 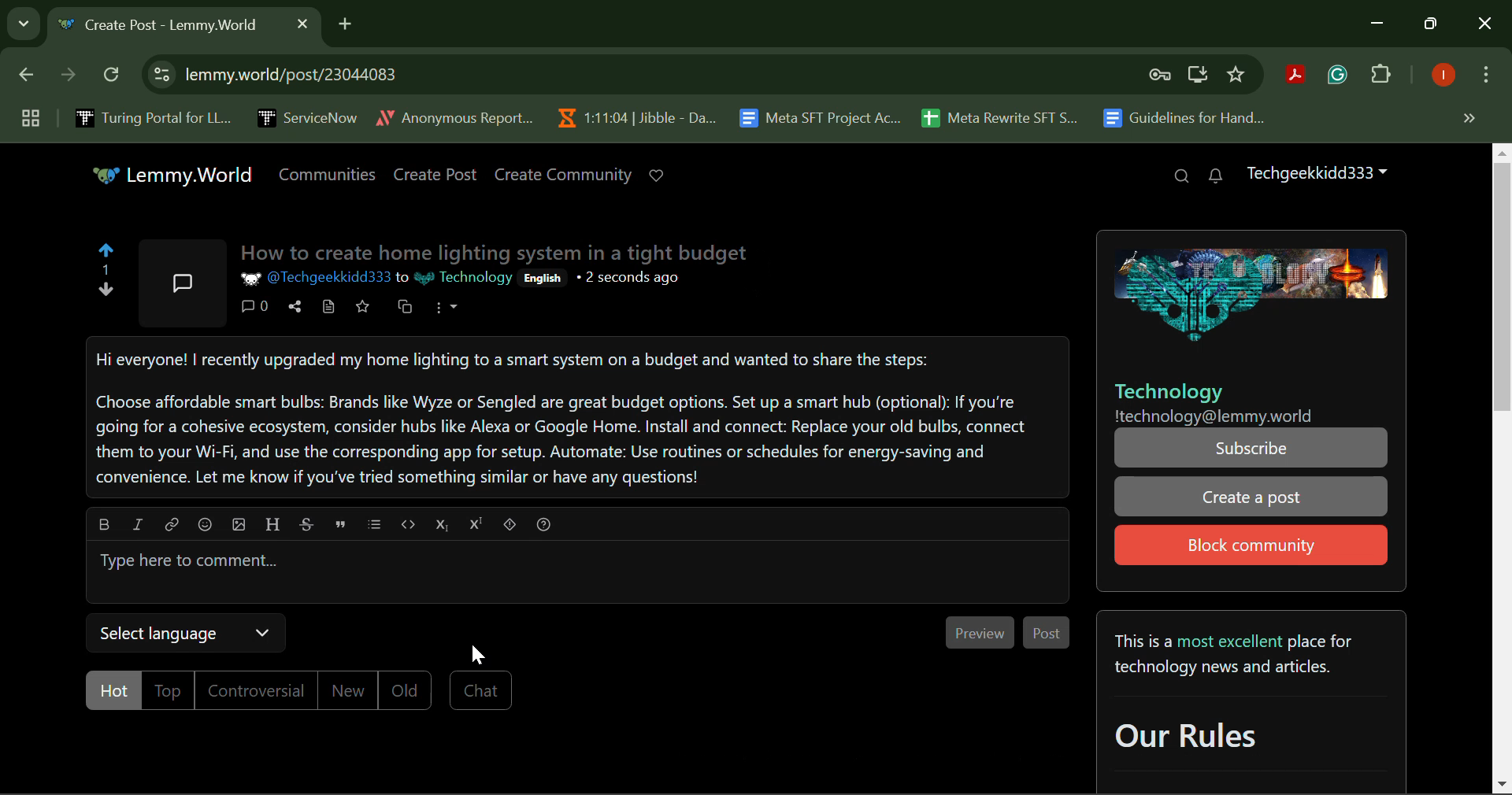 What do you see at coordinates (1186, 118) in the screenshot?
I see `Guidelines for Handling` at bounding box center [1186, 118].